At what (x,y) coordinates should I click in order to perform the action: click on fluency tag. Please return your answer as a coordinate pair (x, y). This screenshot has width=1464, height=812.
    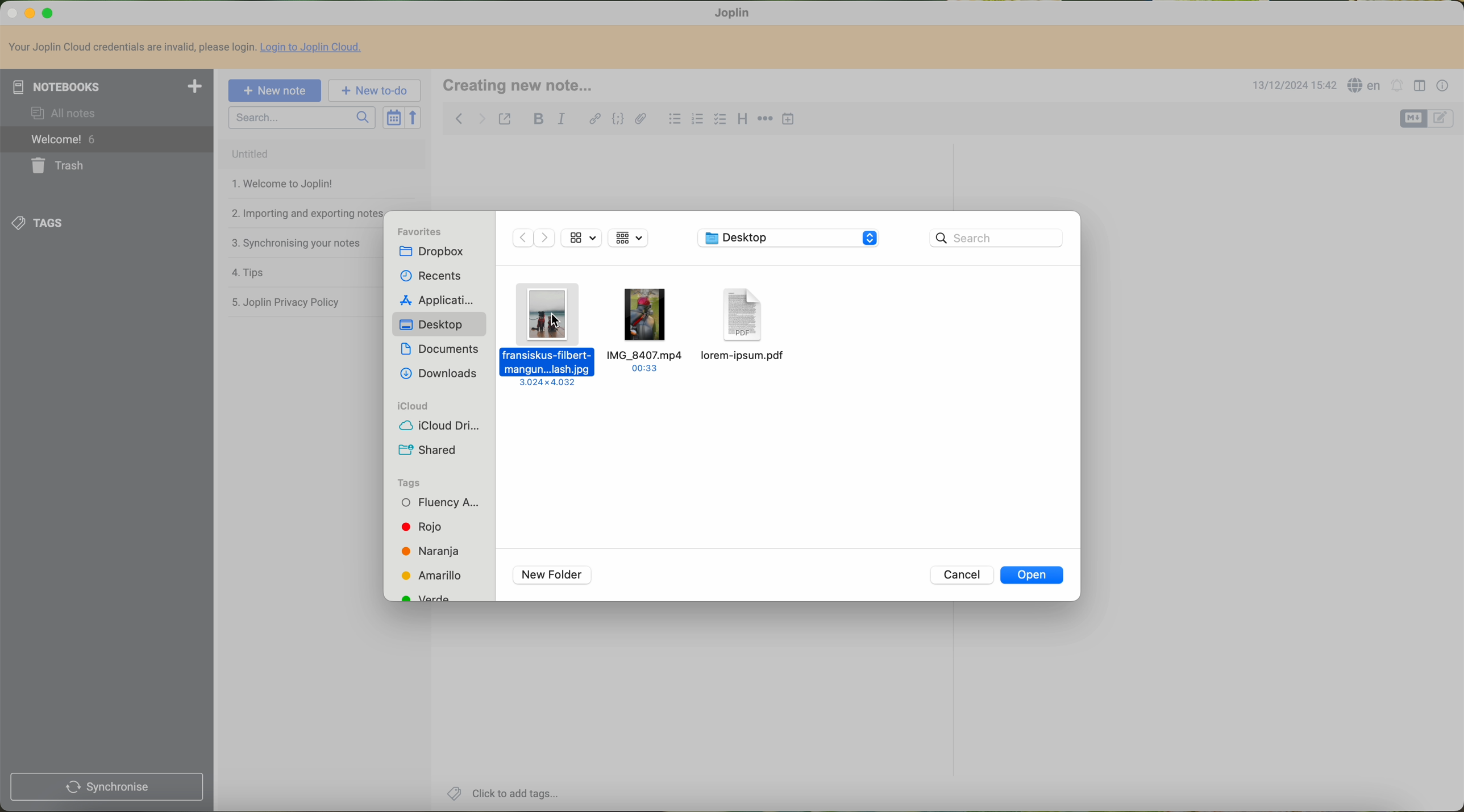
    Looking at the image, I should click on (439, 502).